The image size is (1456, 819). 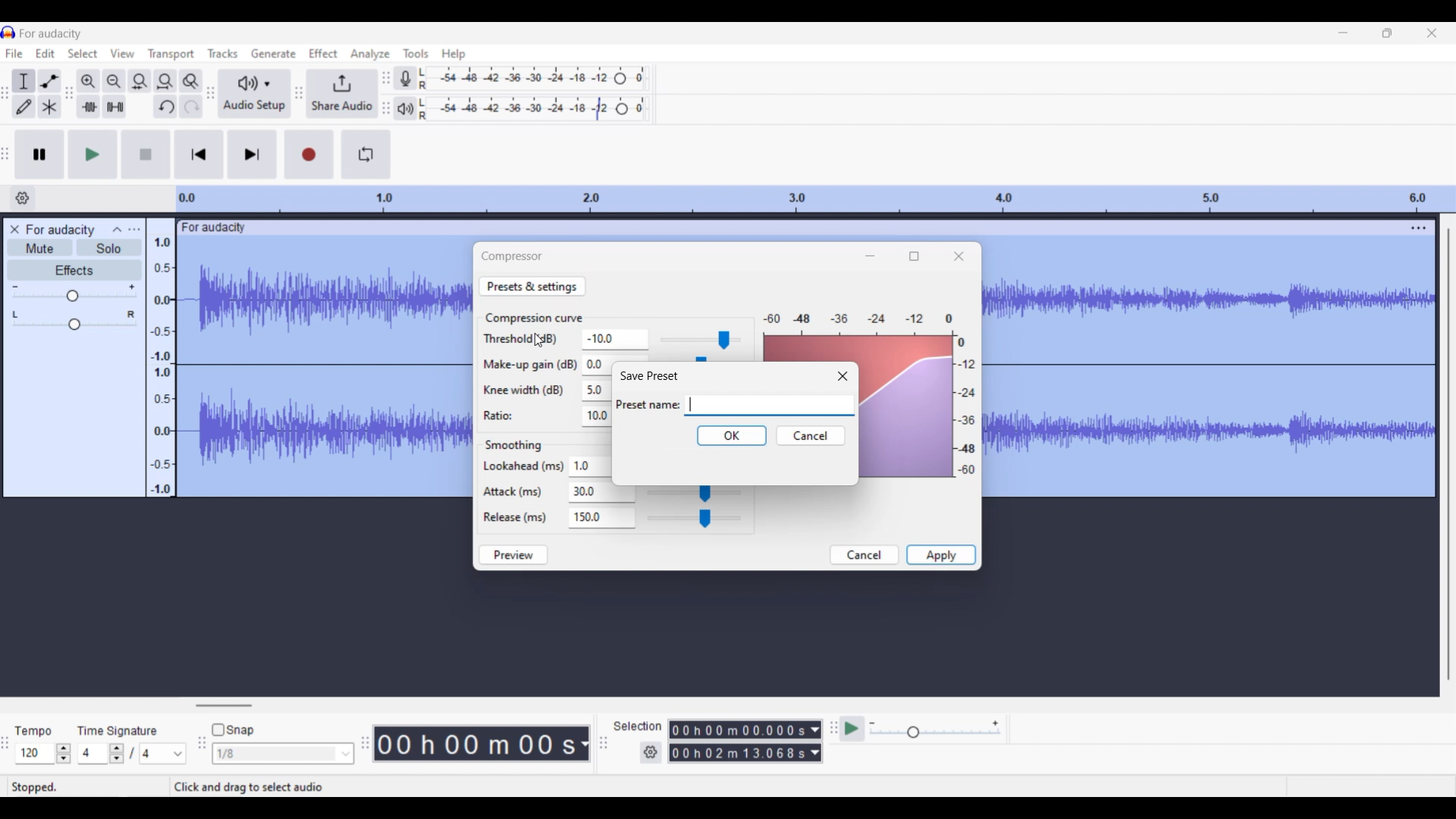 I want to click on Minimize, so click(x=870, y=256).